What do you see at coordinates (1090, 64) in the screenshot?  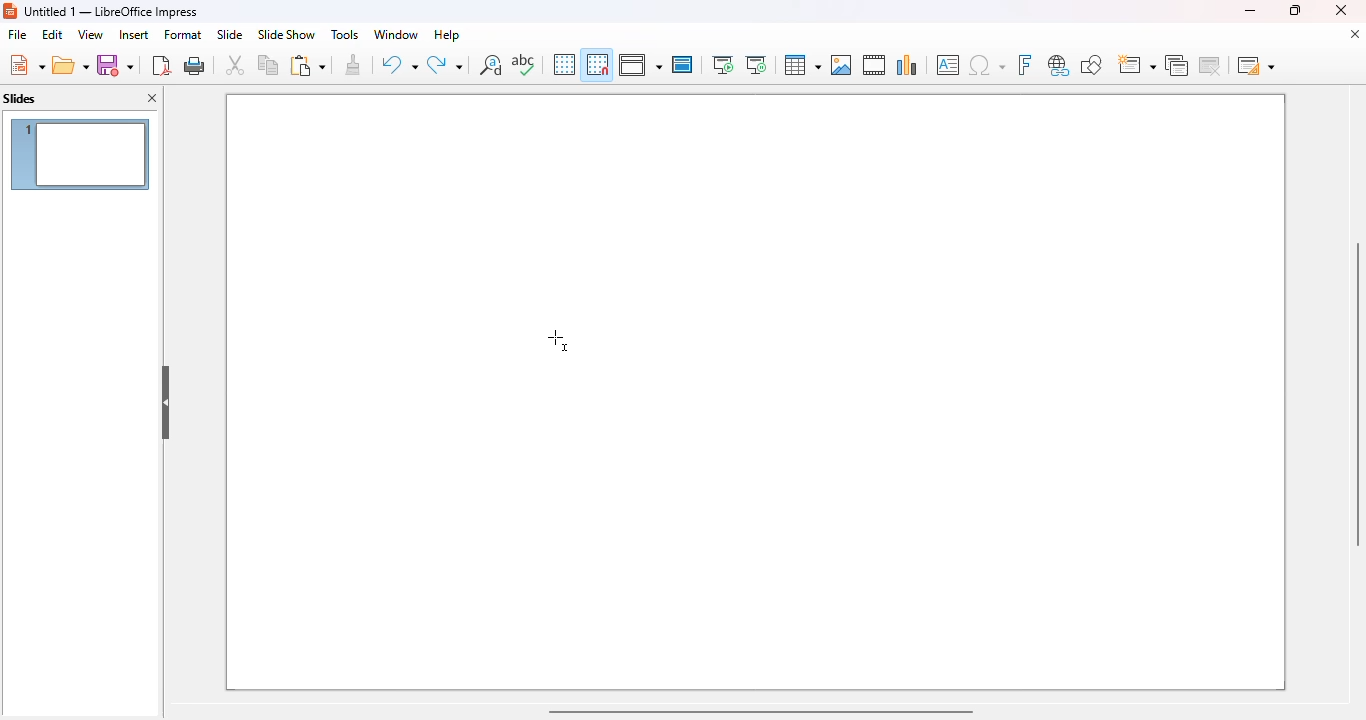 I see `show draw functions` at bounding box center [1090, 64].